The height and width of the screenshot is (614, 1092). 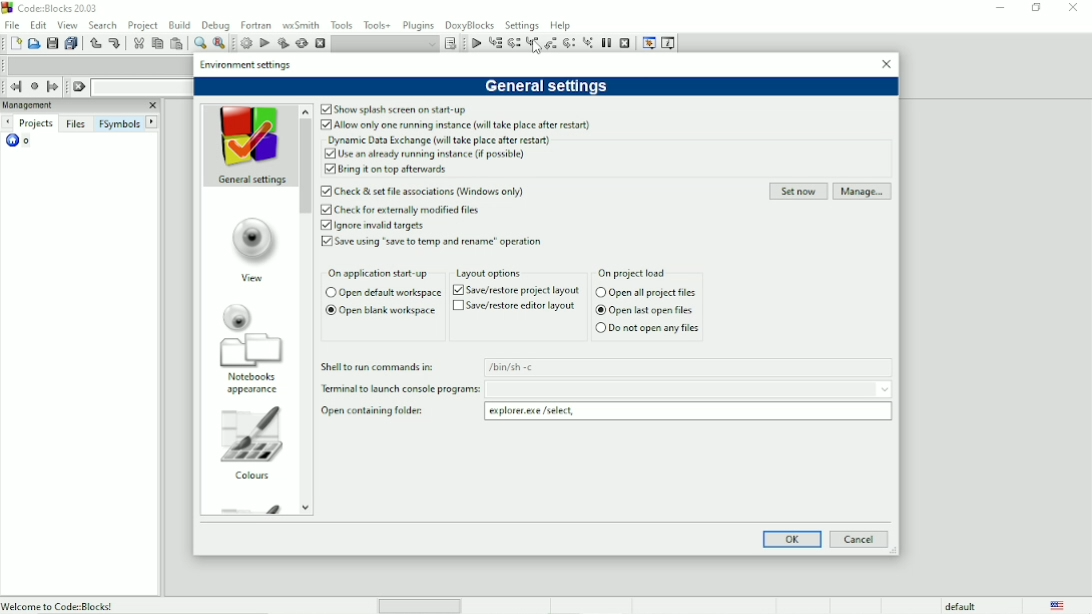 What do you see at coordinates (7, 122) in the screenshot?
I see `Prev` at bounding box center [7, 122].